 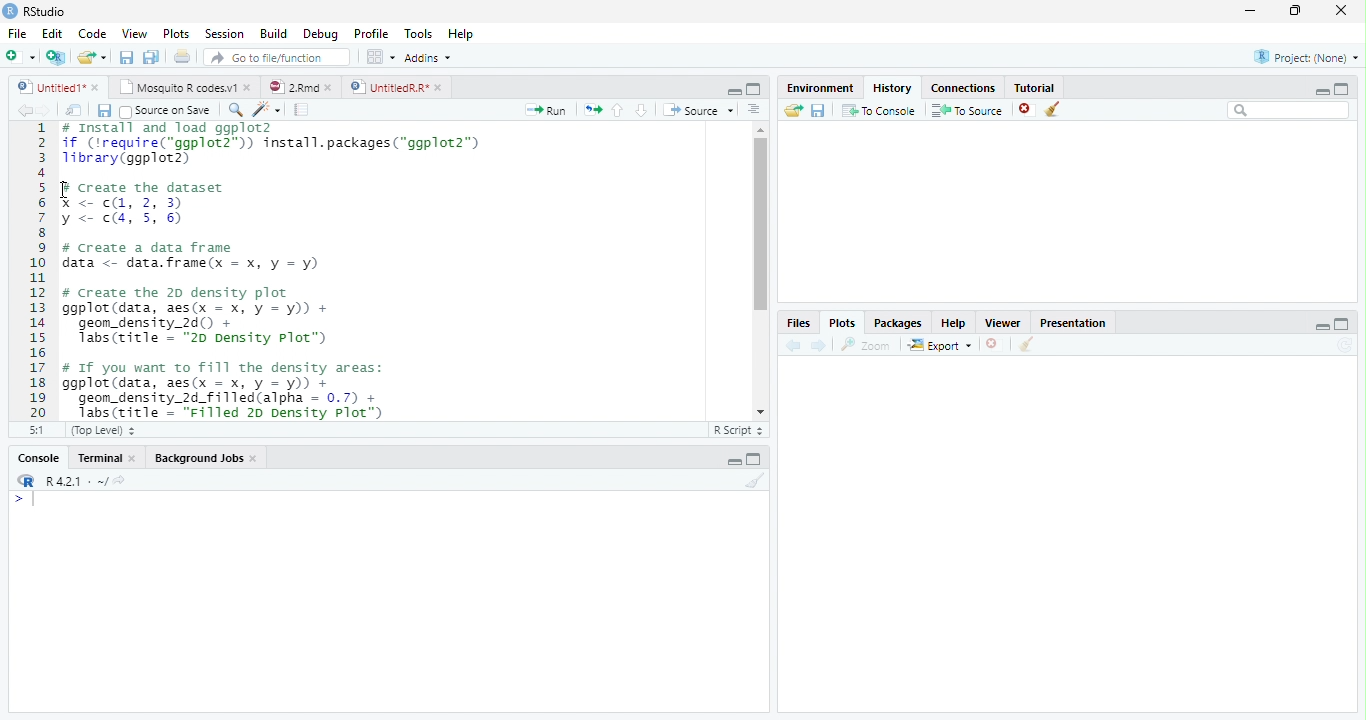 What do you see at coordinates (267, 110) in the screenshot?
I see `code tool` at bounding box center [267, 110].